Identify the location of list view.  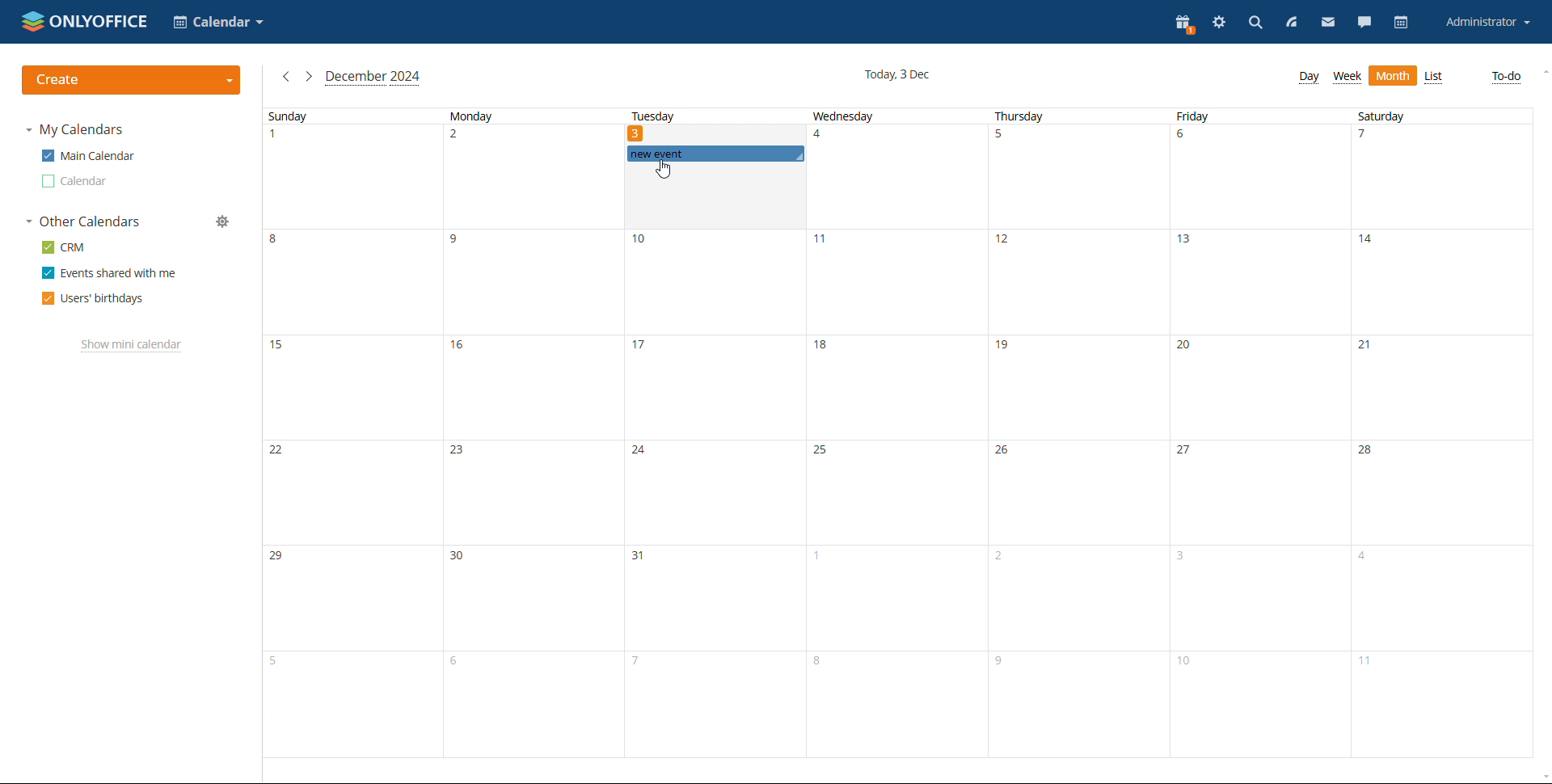
(1435, 78).